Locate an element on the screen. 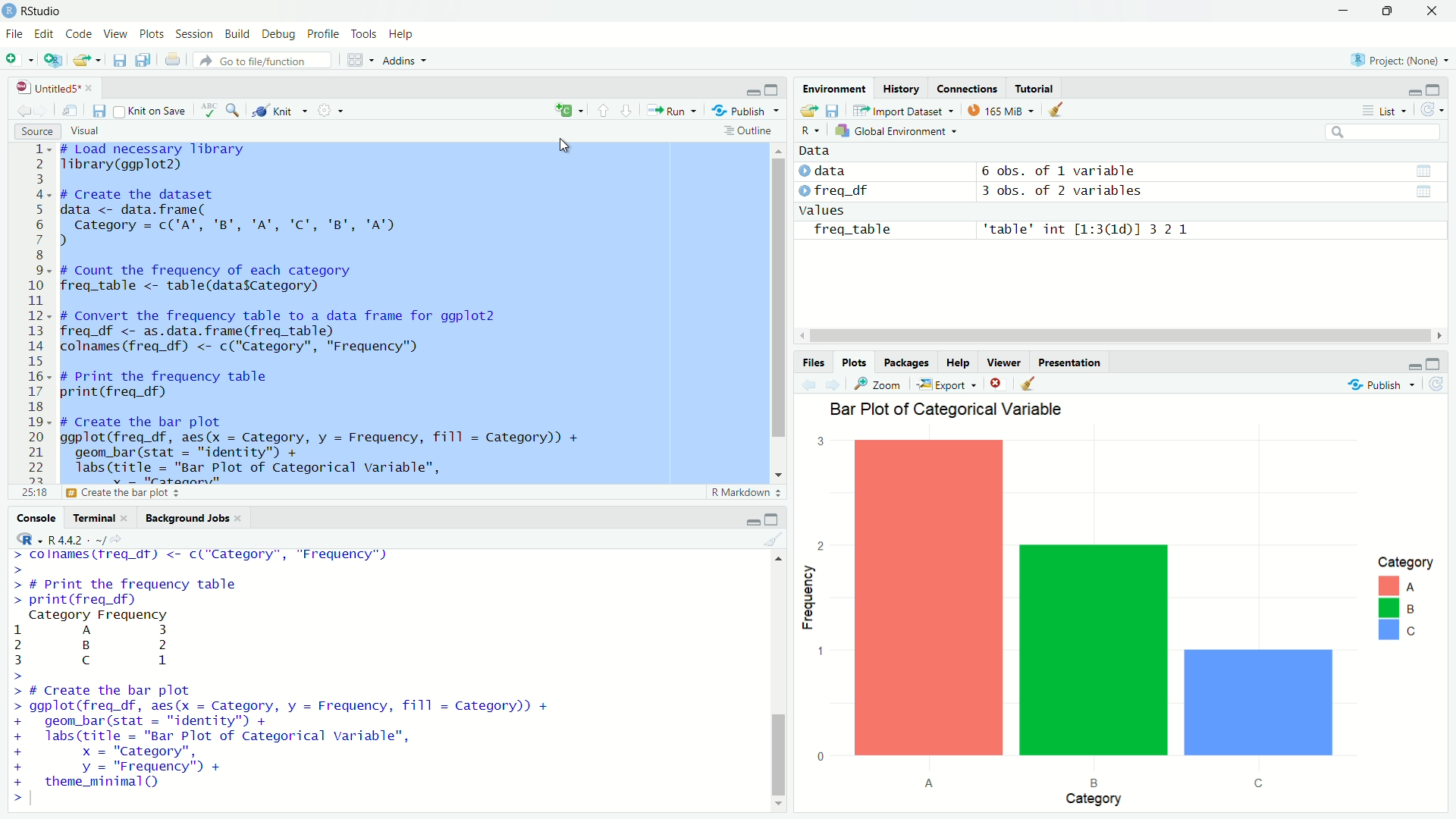 Image resolution: width=1456 pixels, height=819 pixels. RStudio is located at coordinates (47, 11).